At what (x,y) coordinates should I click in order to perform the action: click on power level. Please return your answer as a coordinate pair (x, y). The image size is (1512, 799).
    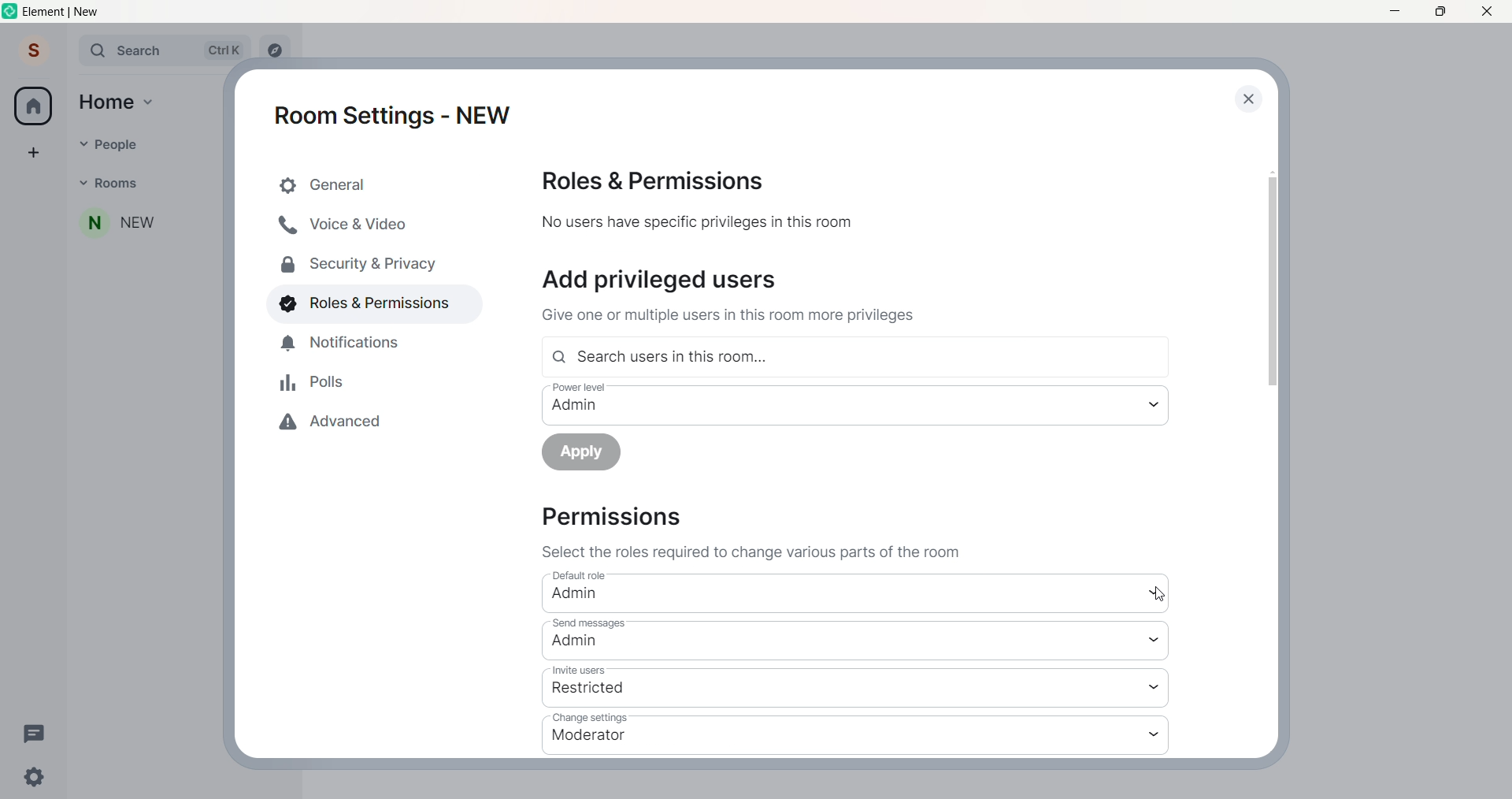
    Looking at the image, I should click on (825, 403).